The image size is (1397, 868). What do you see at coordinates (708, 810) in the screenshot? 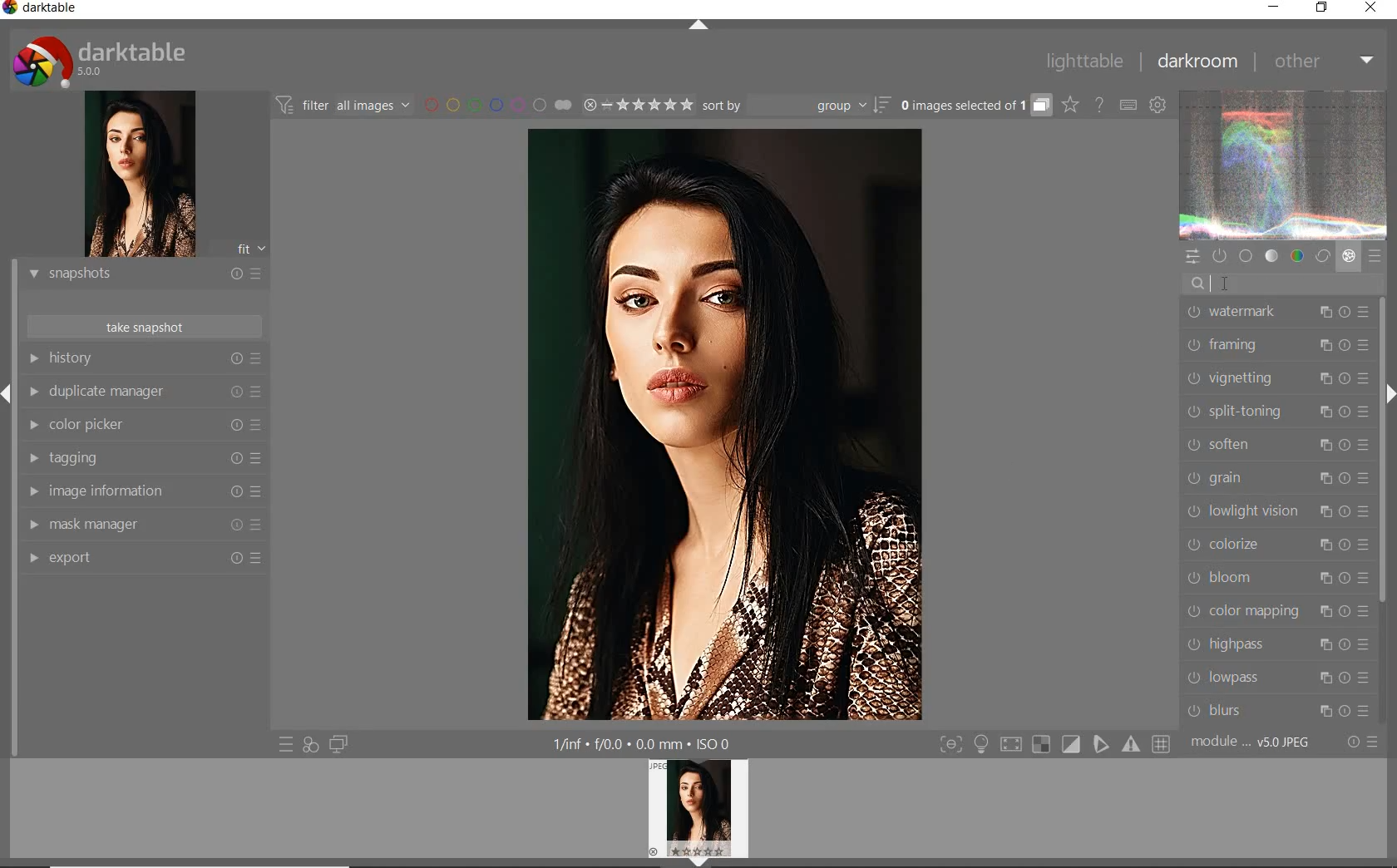
I see `profile ` at bounding box center [708, 810].